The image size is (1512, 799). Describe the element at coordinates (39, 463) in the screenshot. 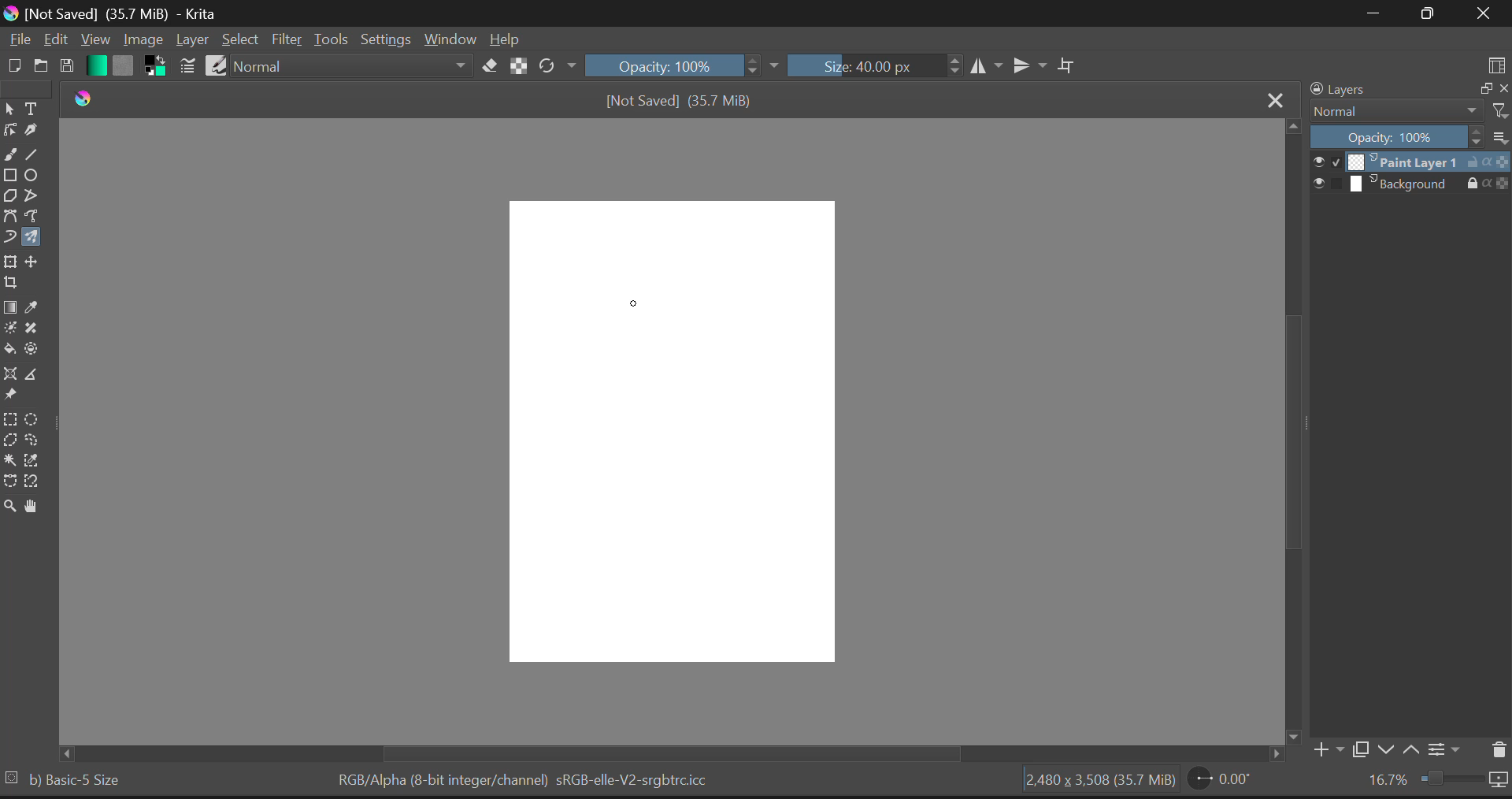

I see `Similar Color Selection` at that location.